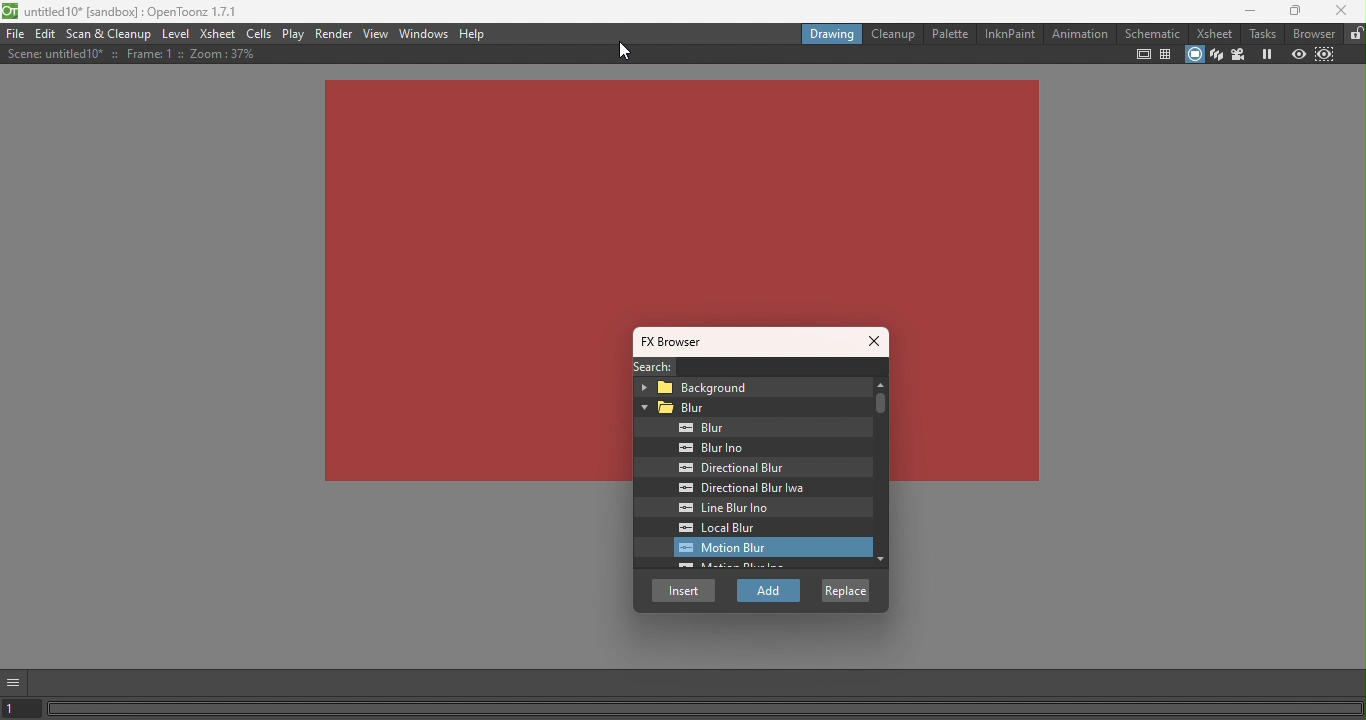  What do you see at coordinates (1217, 53) in the screenshot?
I see `3D view` at bounding box center [1217, 53].